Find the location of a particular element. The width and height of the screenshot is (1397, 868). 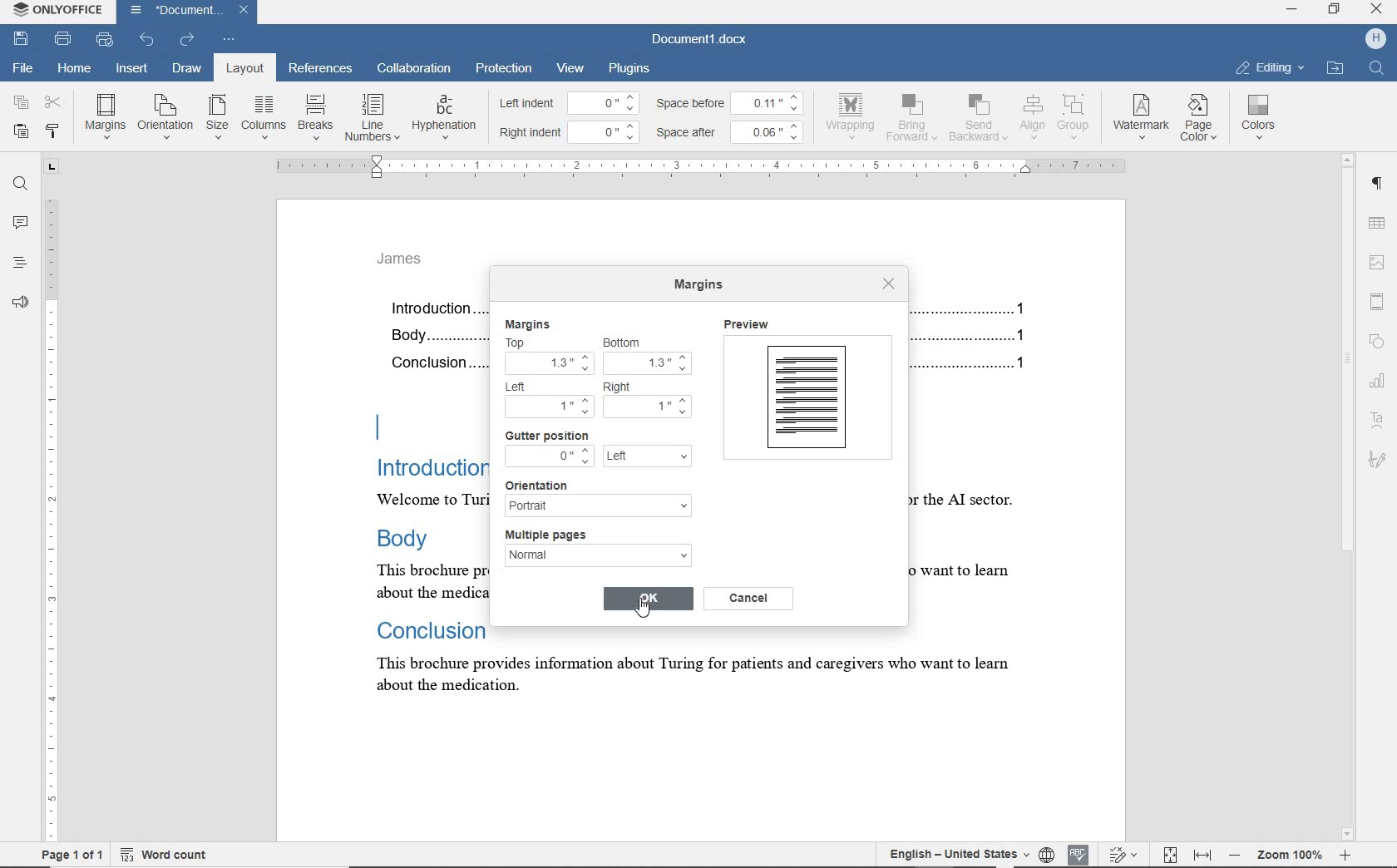

OK is located at coordinates (649, 598).